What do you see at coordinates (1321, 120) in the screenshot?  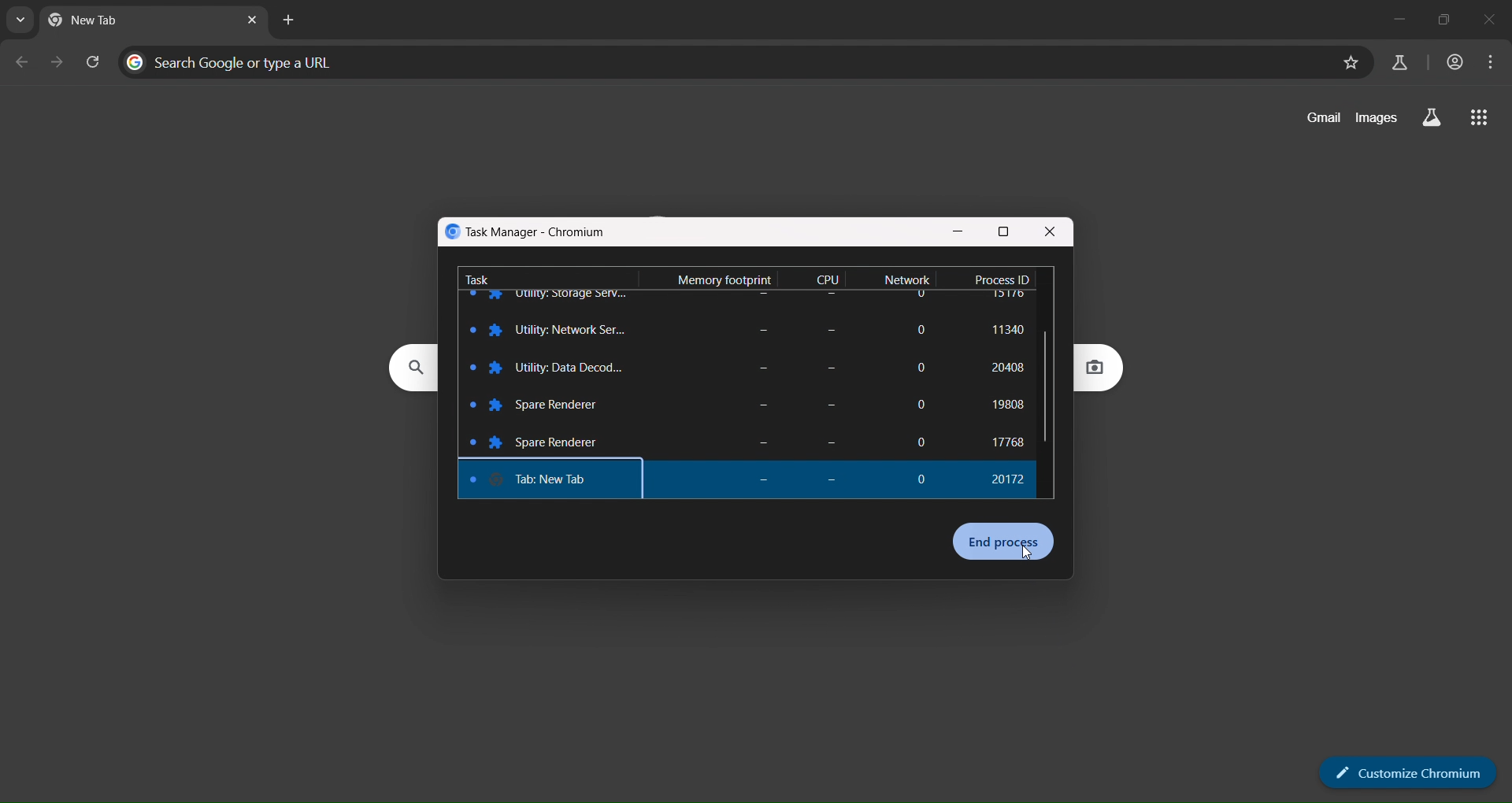 I see `gmail ` at bounding box center [1321, 120].